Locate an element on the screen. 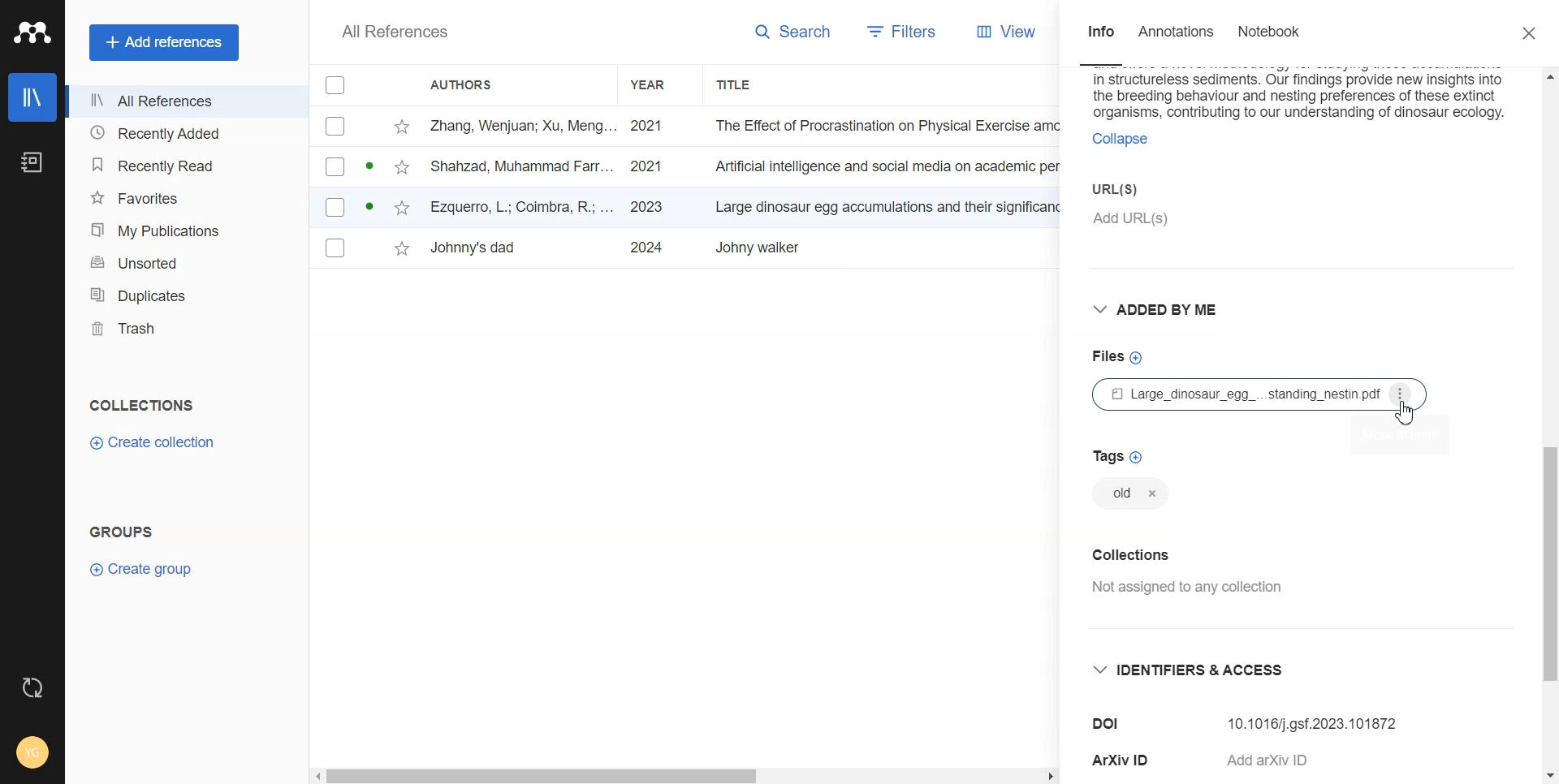  Scroll Right is located at coordinates (1049, 778).